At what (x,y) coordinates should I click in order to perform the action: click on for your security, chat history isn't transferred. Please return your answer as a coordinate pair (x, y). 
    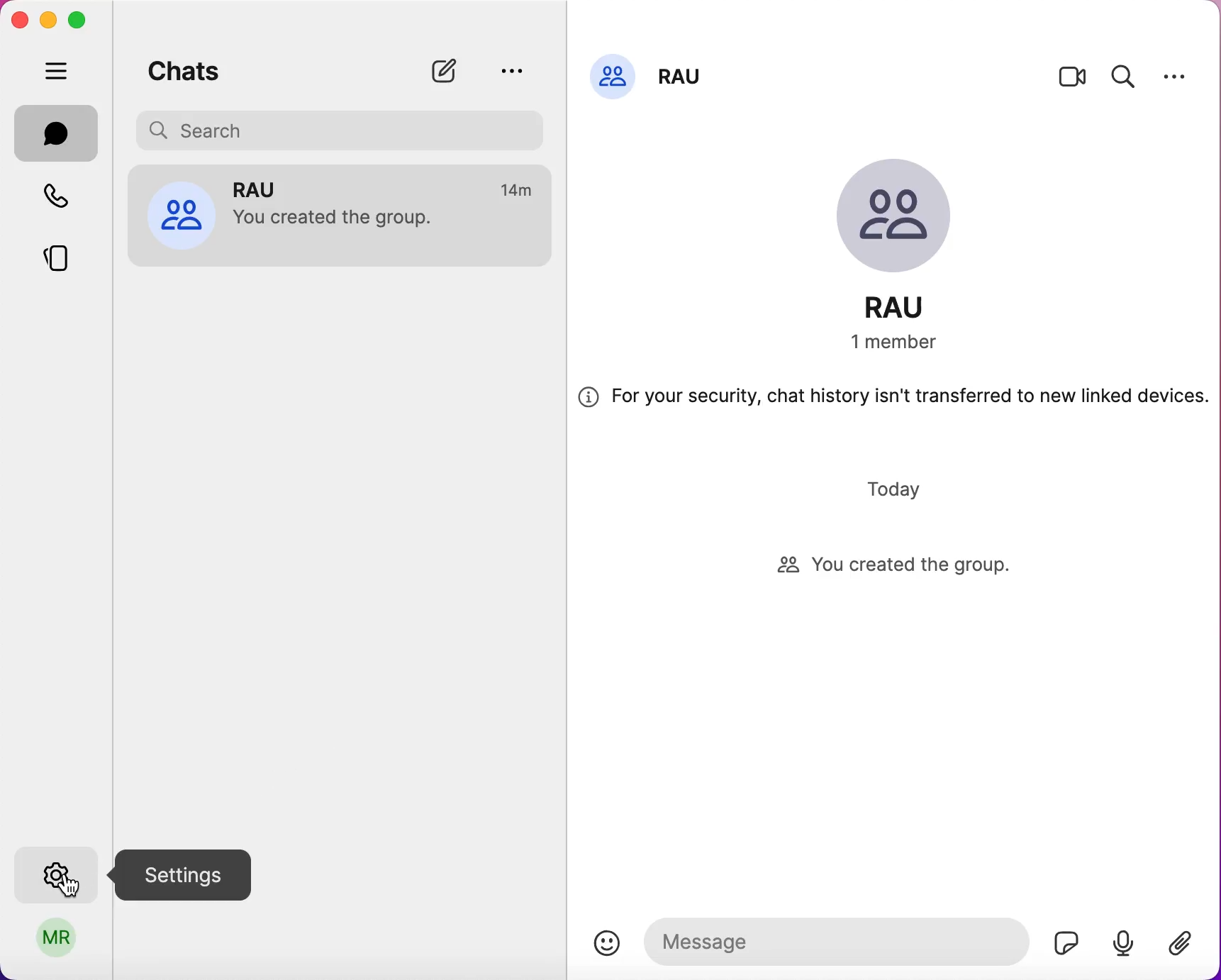
    Looking at the image, I should click on (897, 399).